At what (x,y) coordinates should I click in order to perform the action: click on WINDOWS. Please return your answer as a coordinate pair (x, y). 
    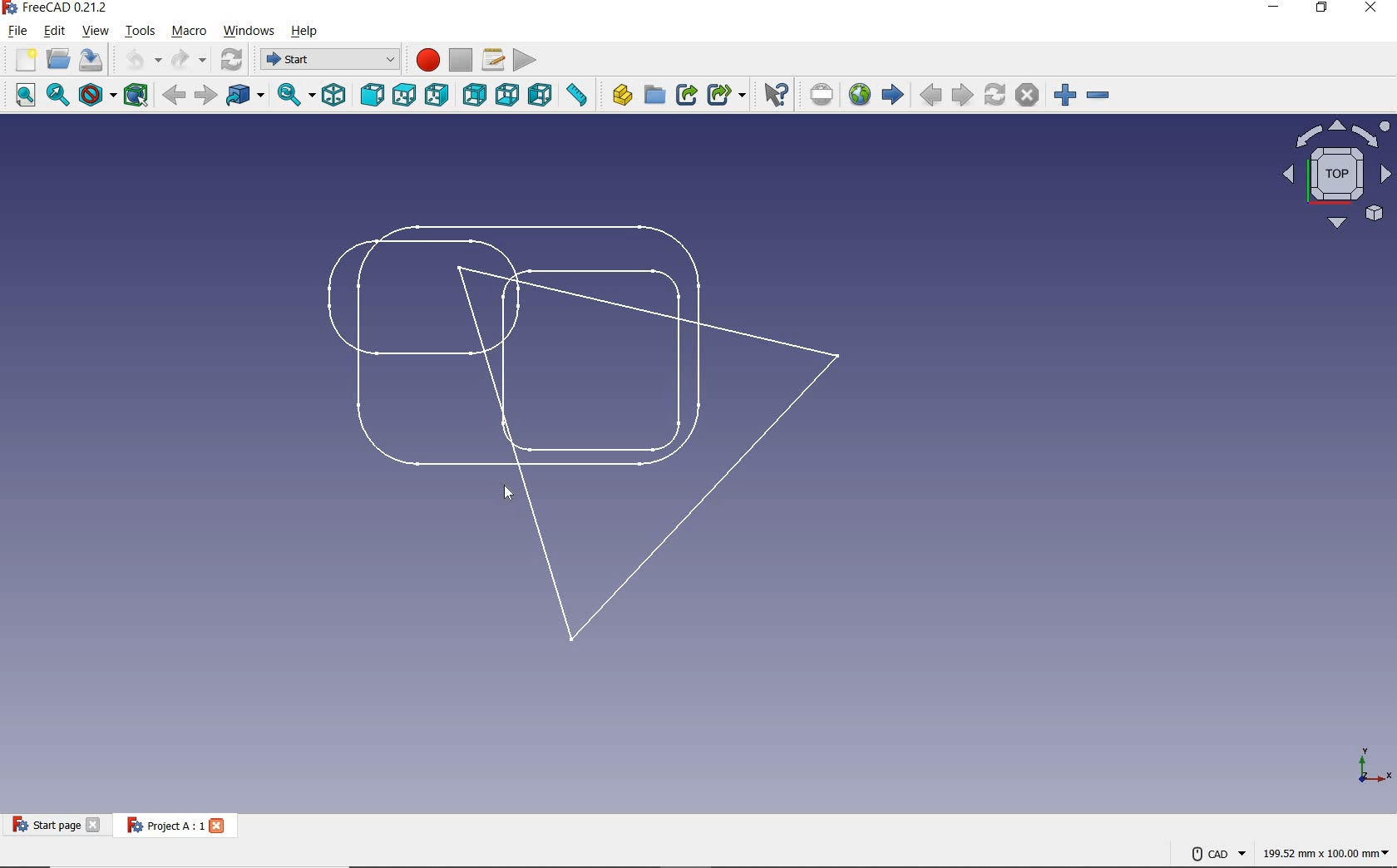
    Looking at the image, I should click on (249, 31).